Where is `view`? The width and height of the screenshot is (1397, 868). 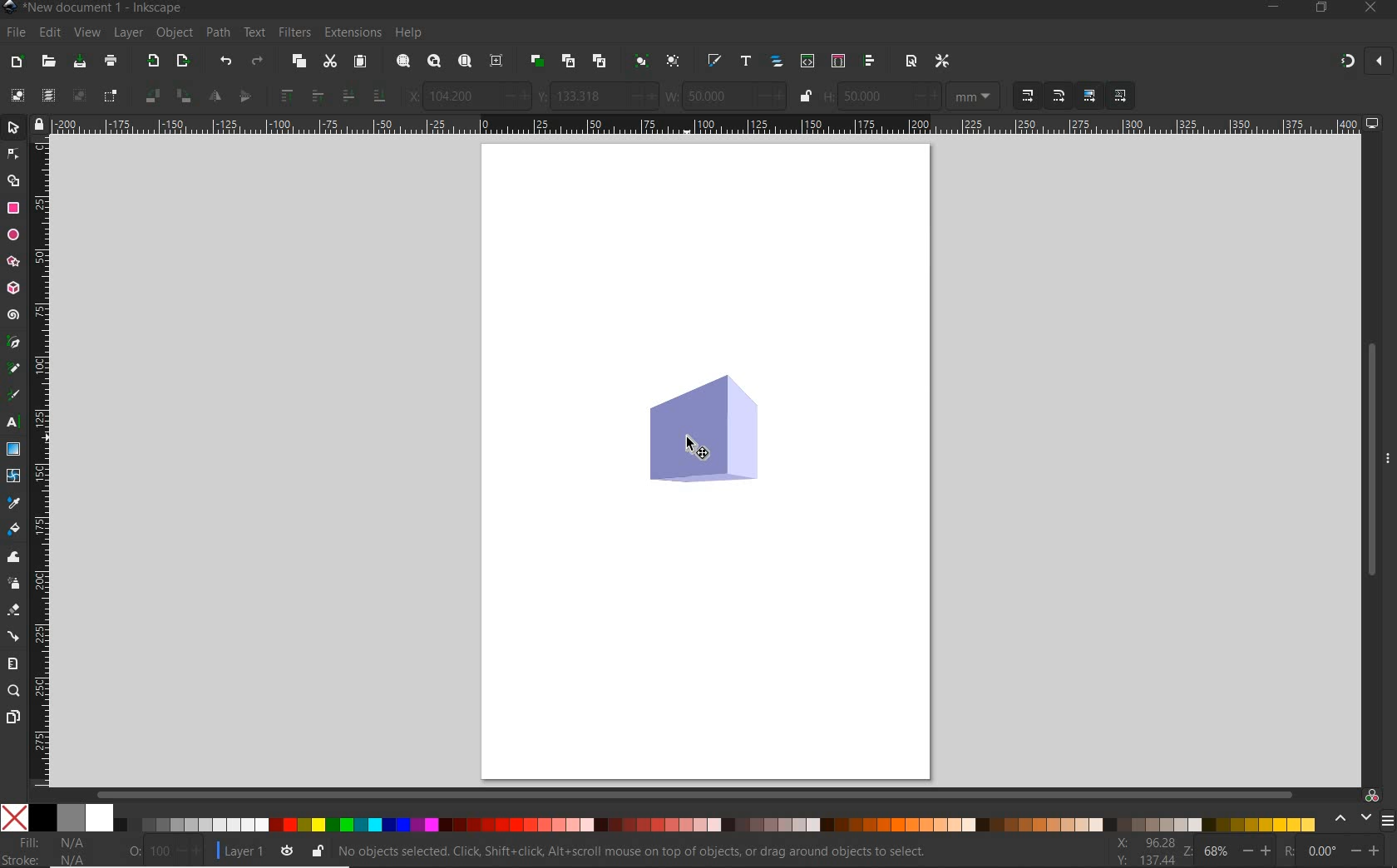 view is located at coordinates (86, 33).